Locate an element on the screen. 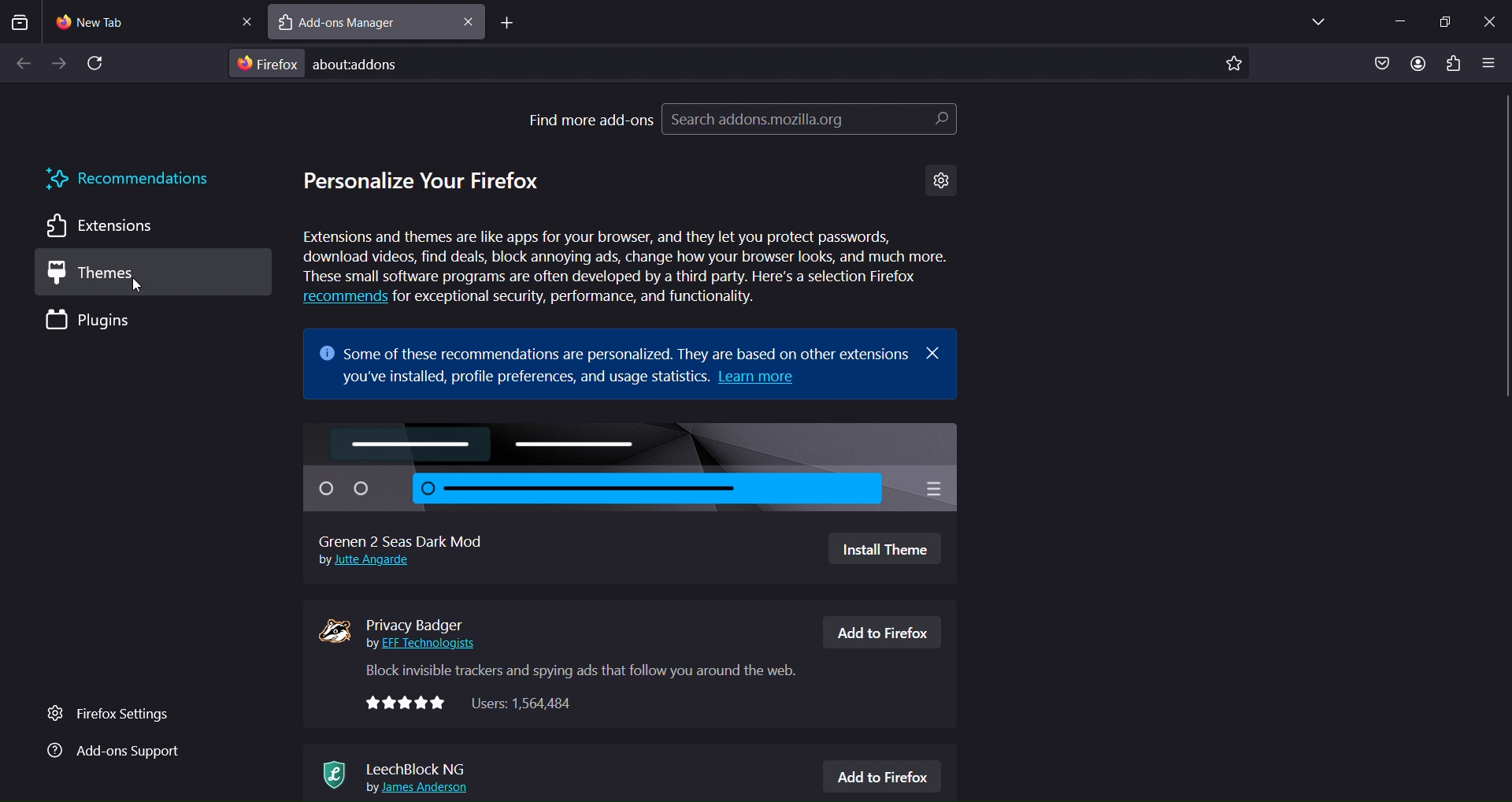 The height and width of the screenshot is (802, 1512). grenen 2 seas dark mod is located at coordinates (632, 467).